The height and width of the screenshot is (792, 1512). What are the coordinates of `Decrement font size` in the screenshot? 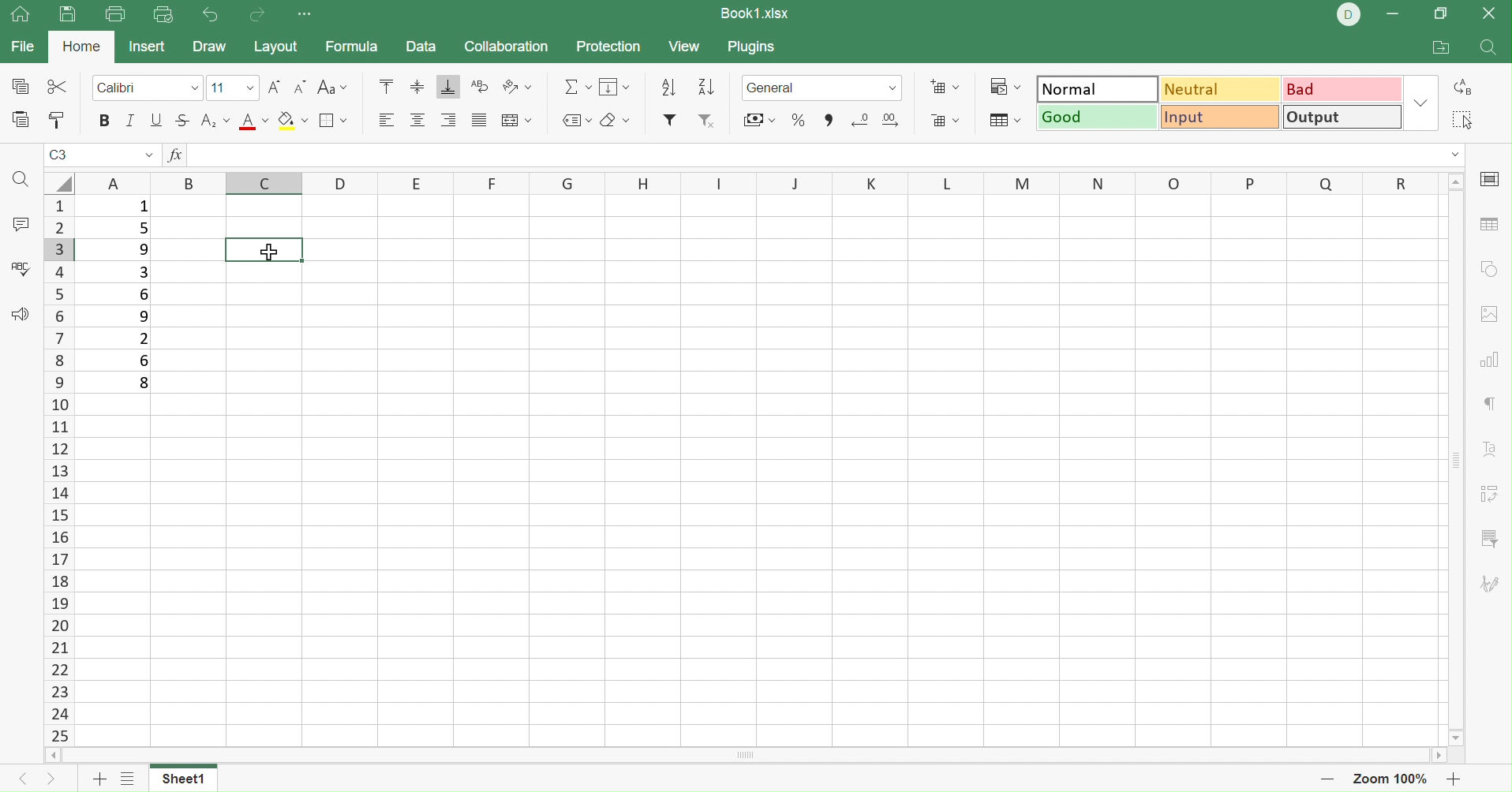 It's located at (300, 87).